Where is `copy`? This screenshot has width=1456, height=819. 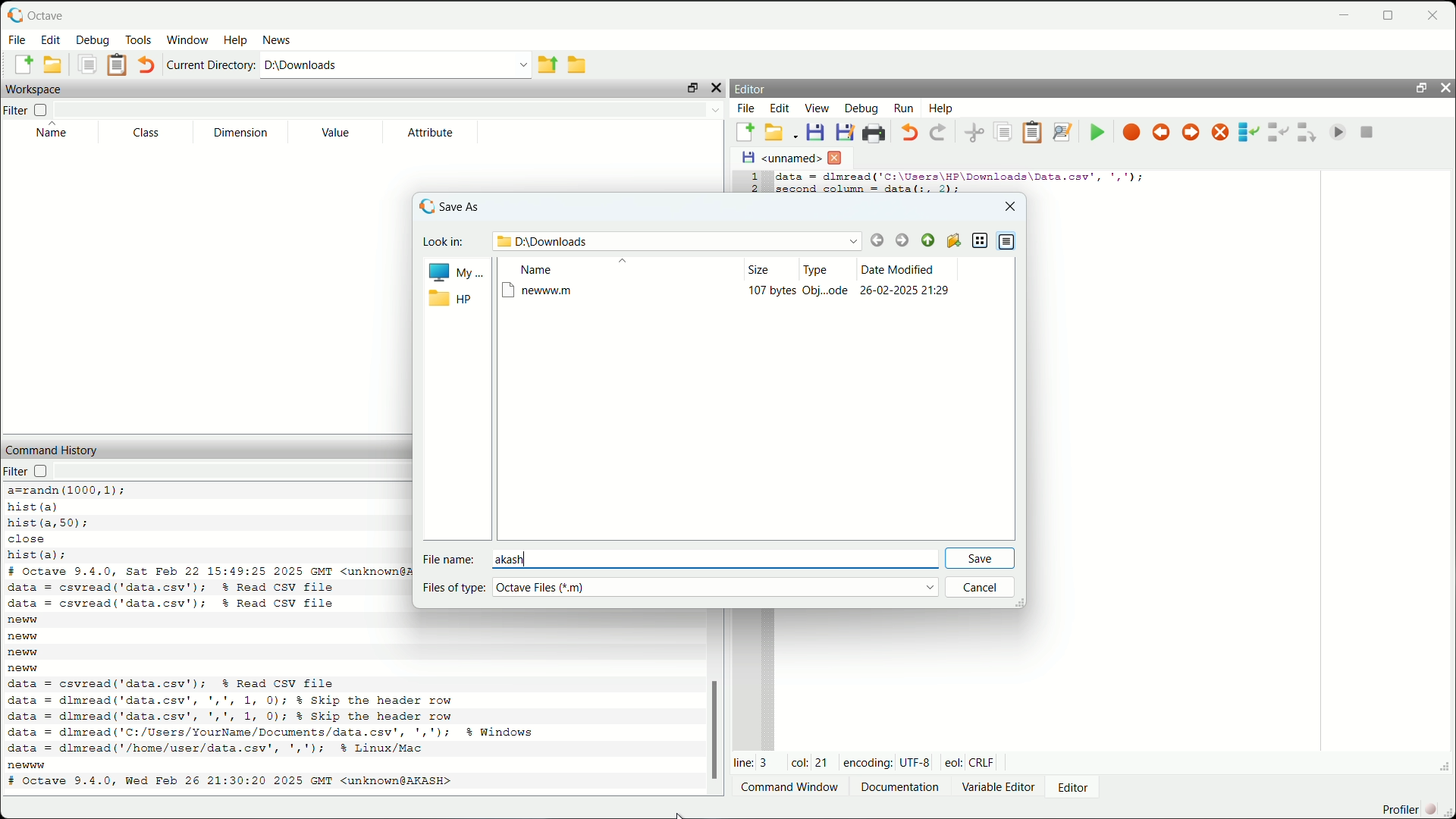 copy is located at coordinates (89, 67).